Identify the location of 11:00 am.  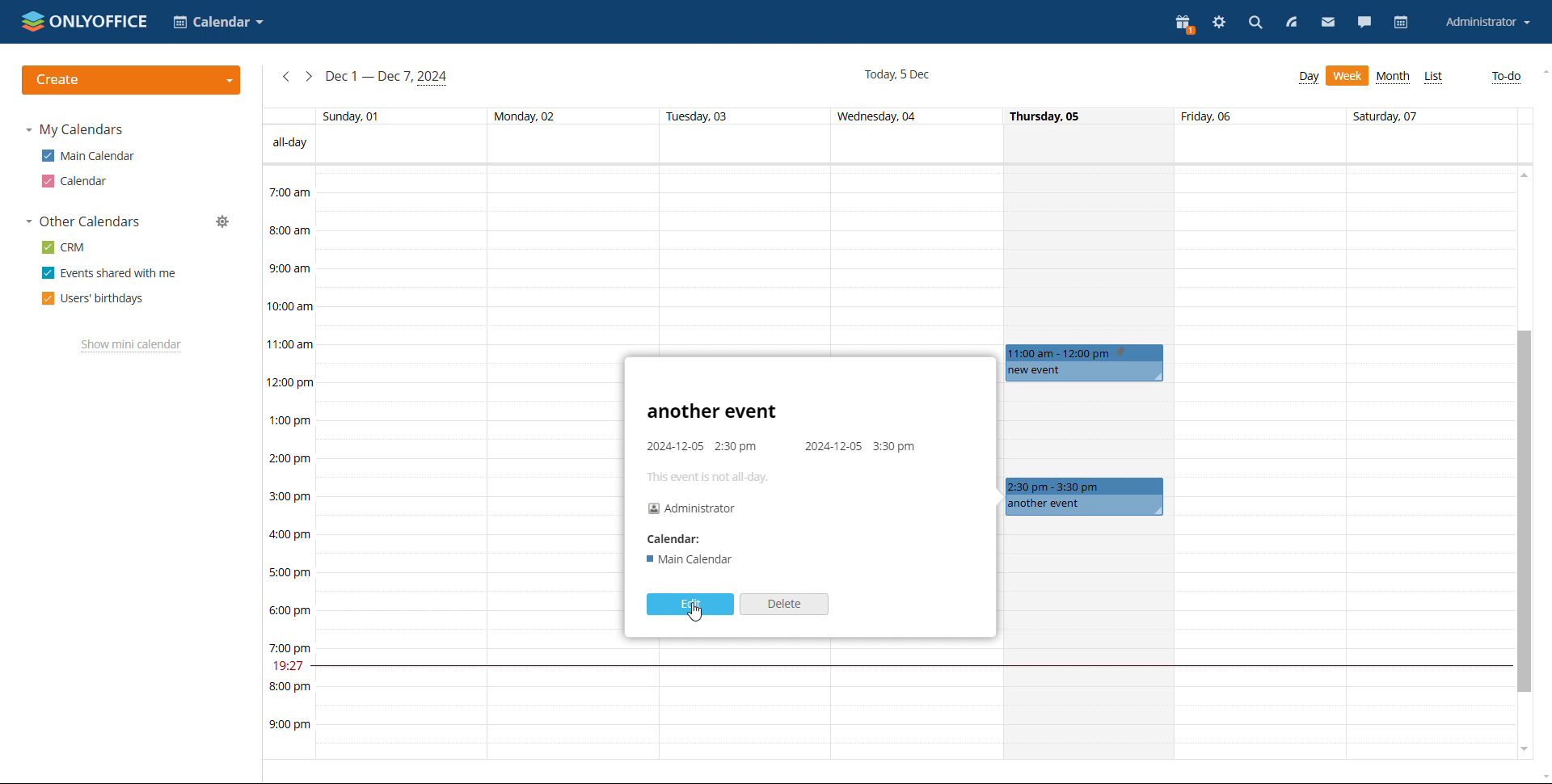
(290, 345).